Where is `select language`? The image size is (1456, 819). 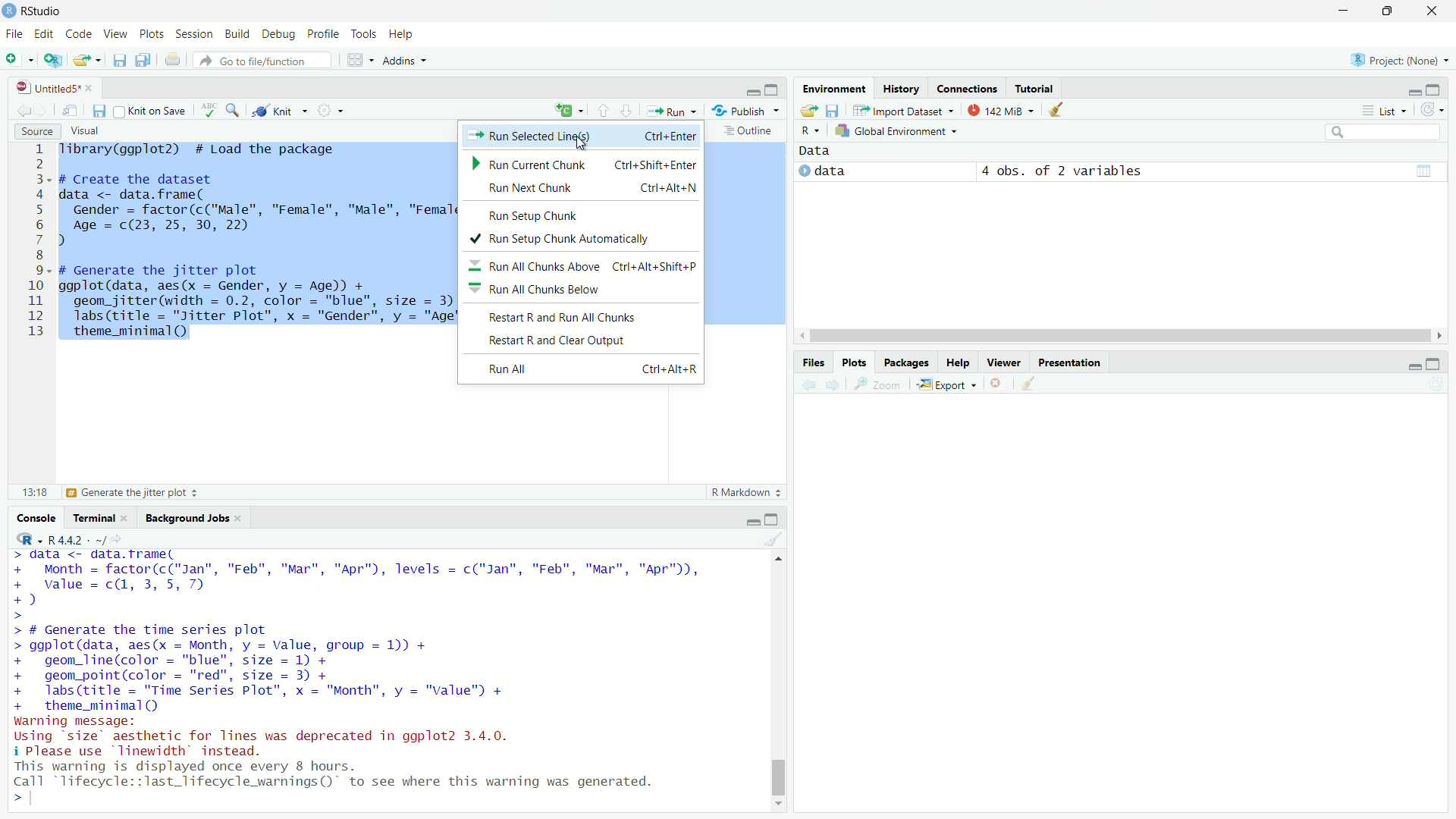
select language is located at coordinates (22, 539).